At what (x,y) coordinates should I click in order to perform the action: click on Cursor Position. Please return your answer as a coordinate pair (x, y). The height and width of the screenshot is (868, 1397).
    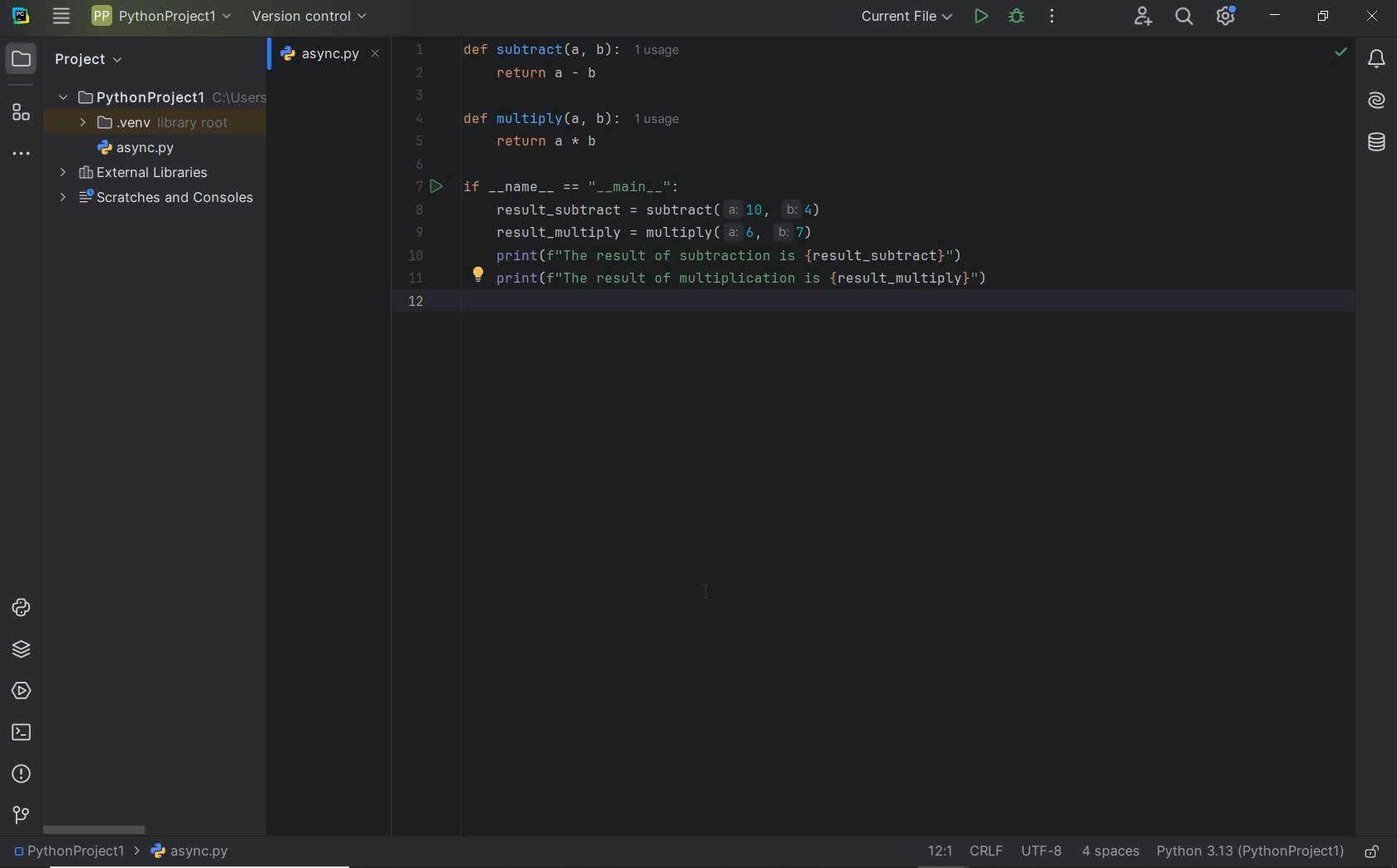
    Looking at the image, I should click on (706, 591).